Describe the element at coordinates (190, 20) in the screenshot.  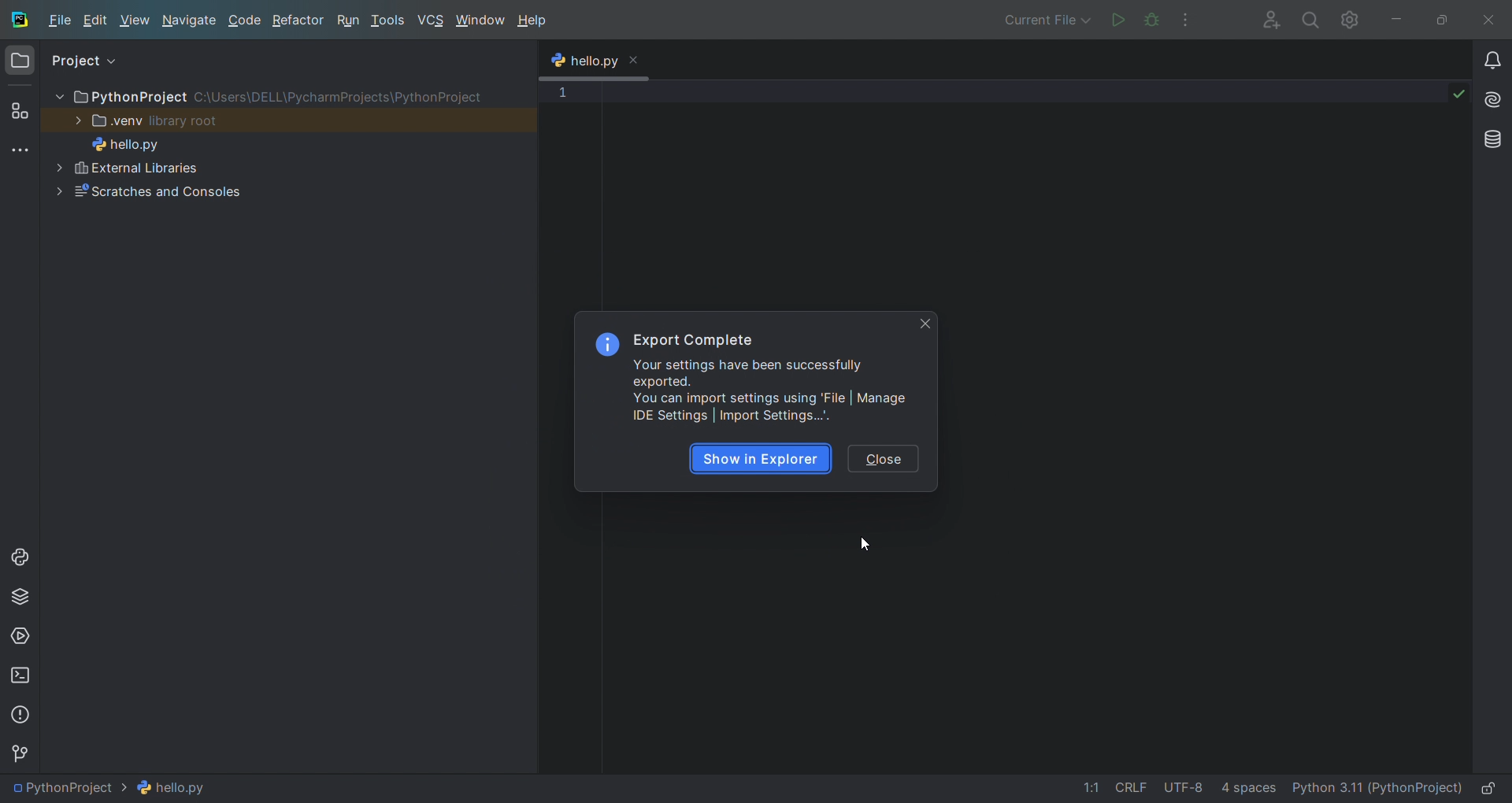
I see `Navigate` at that location.